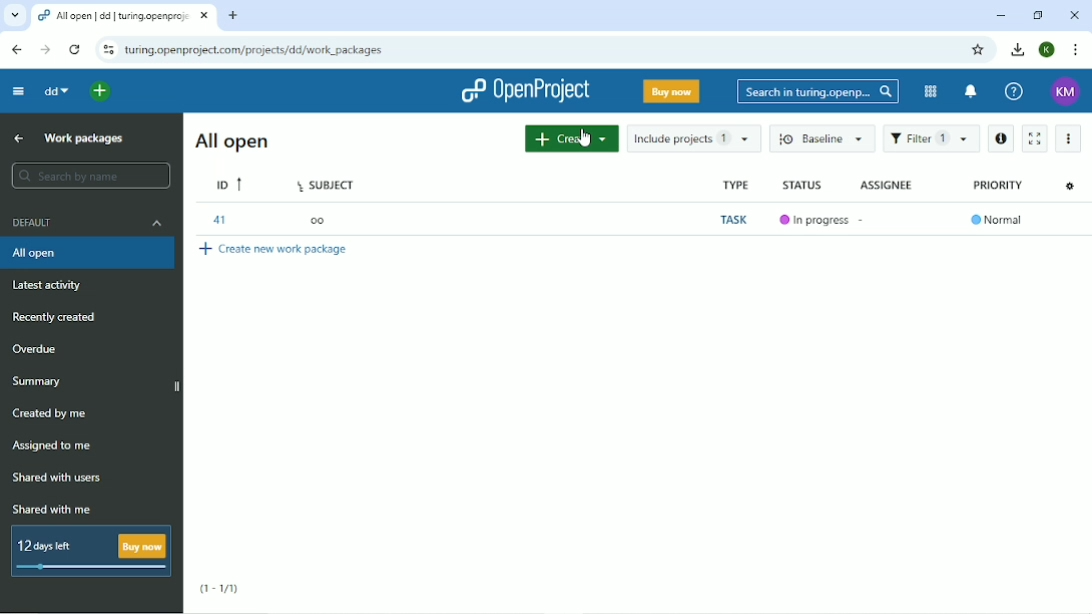 This screenshot has width=1092, height=614. Describe the element at coordinates (822, 140) in the screenshot. I see `Baseline` at that location.